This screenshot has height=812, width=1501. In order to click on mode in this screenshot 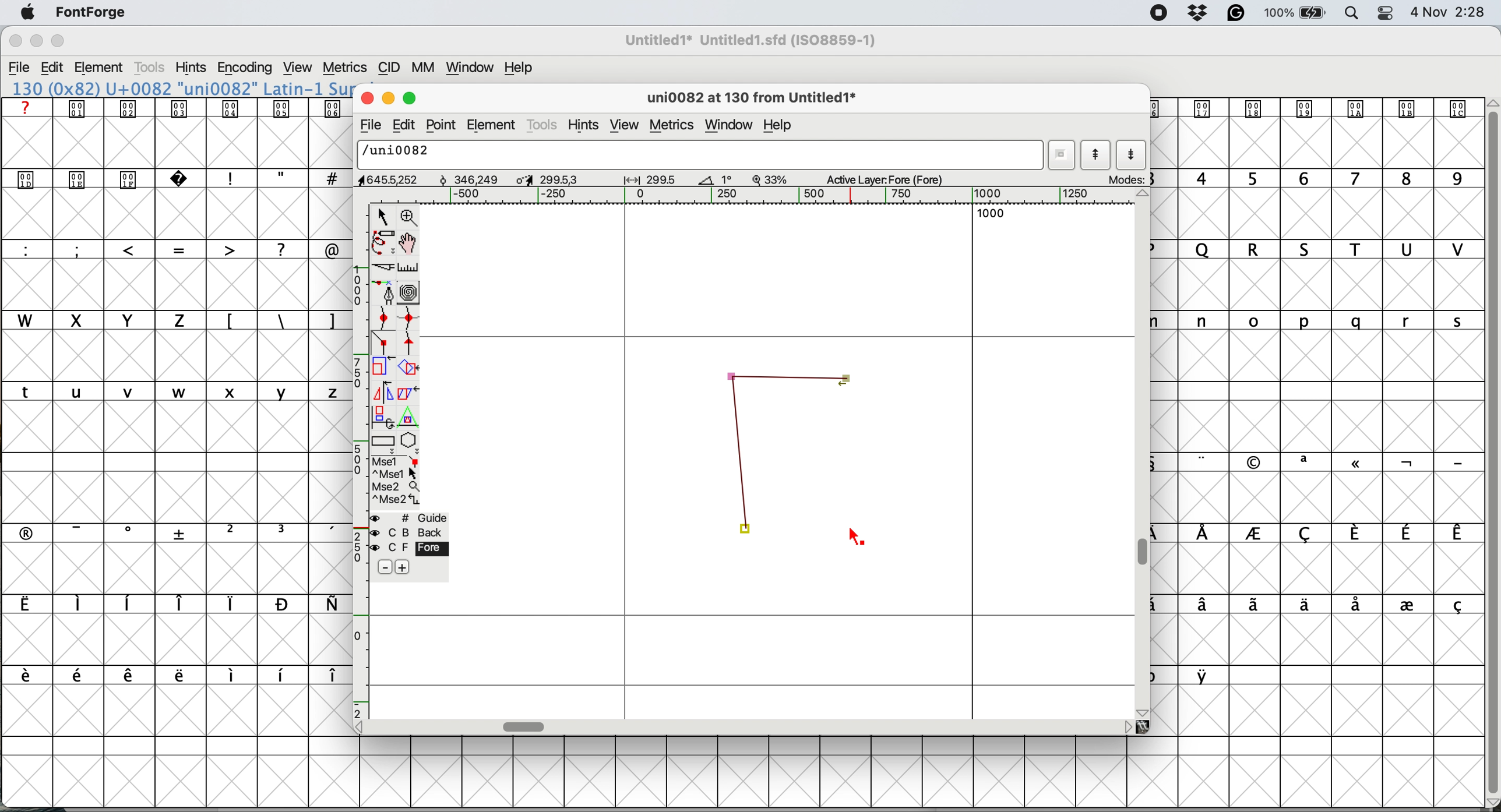, I will do `click(1124, 179)`.